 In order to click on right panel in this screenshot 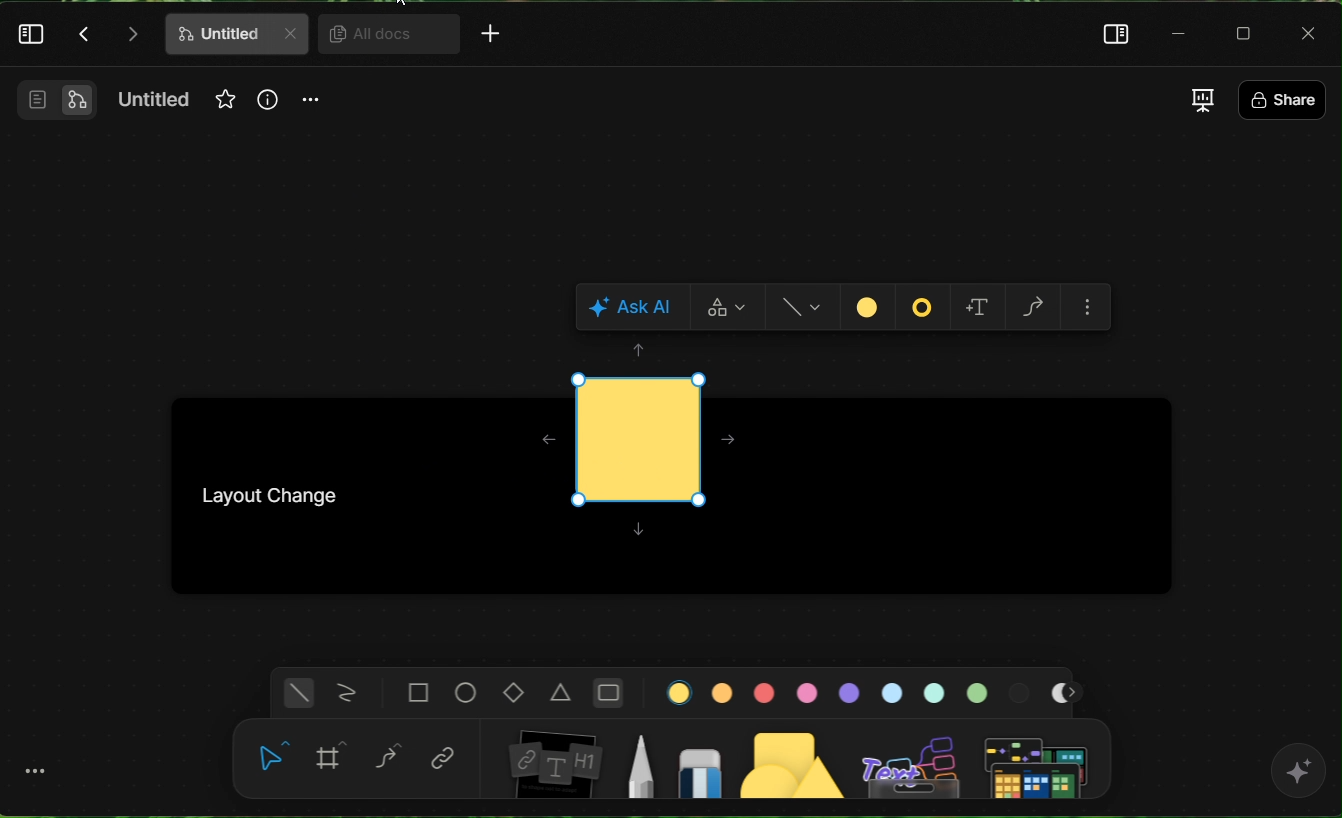, I will do `click(1109, 33)`.